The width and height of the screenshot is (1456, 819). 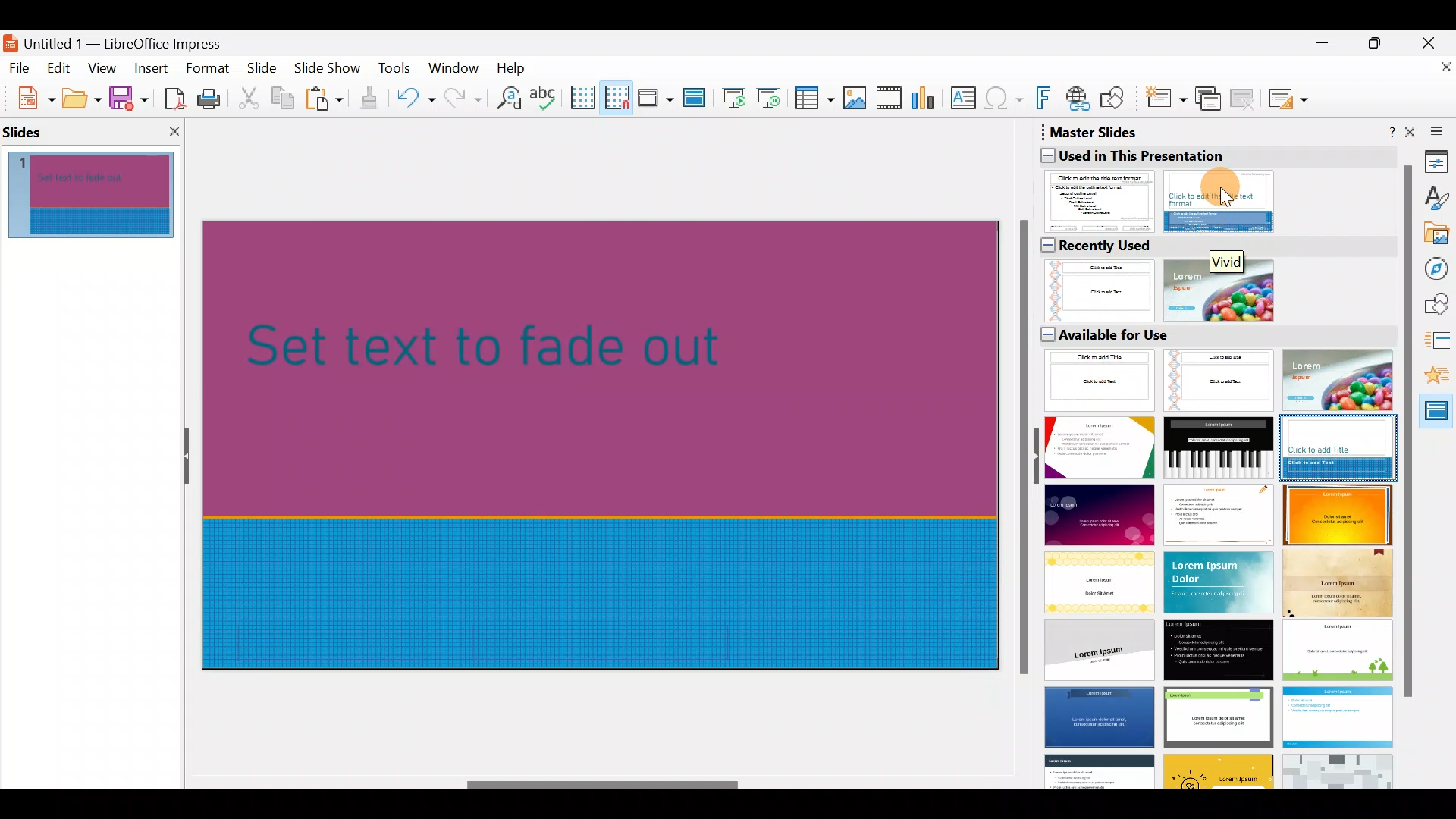 What do you see at coordinates (608, 443) in the screenshot?
I see `Presentation slide` at bounding box center [608, 443].